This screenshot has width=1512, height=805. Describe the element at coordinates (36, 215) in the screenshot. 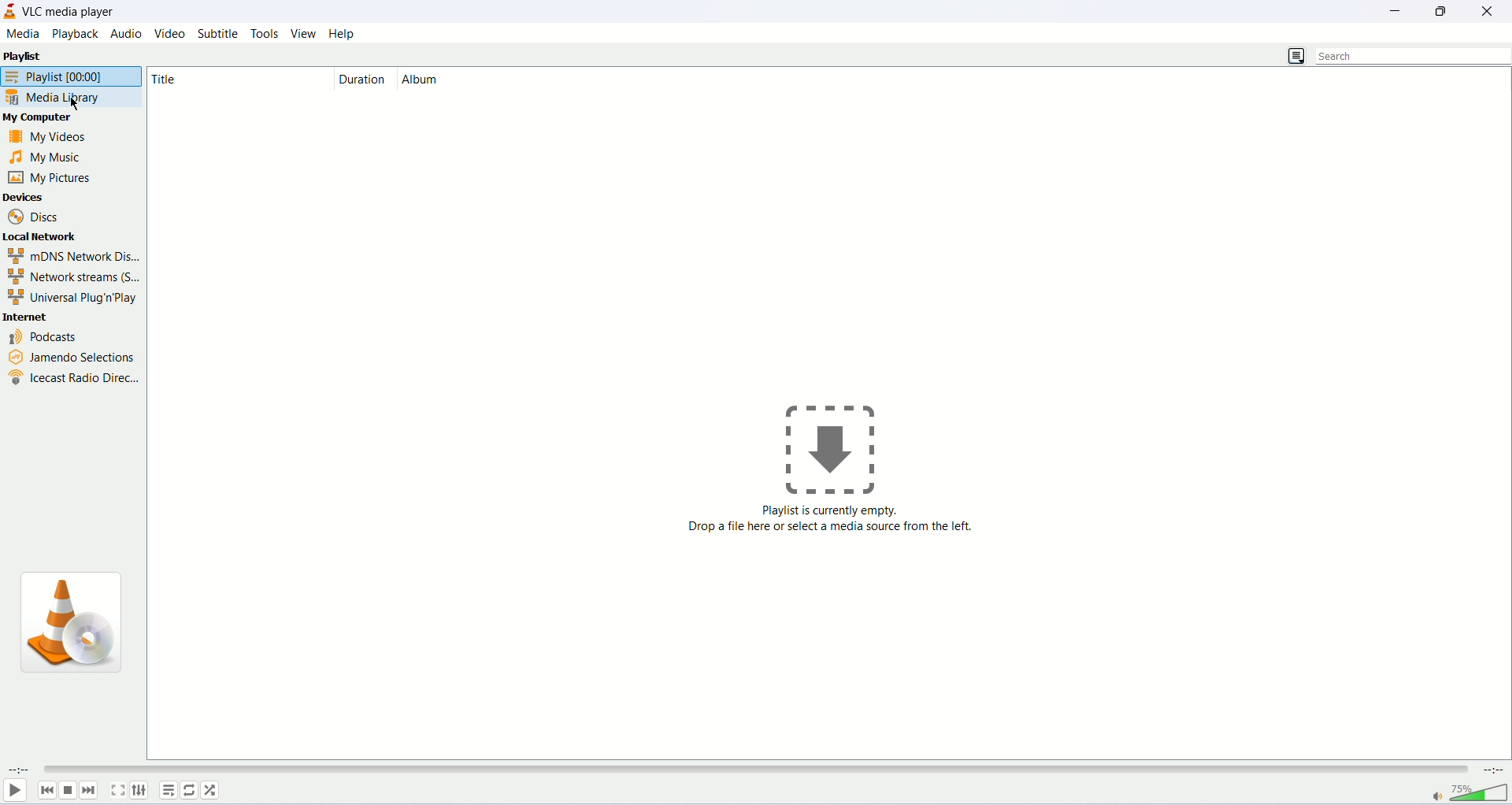

I see `discs` at that location.